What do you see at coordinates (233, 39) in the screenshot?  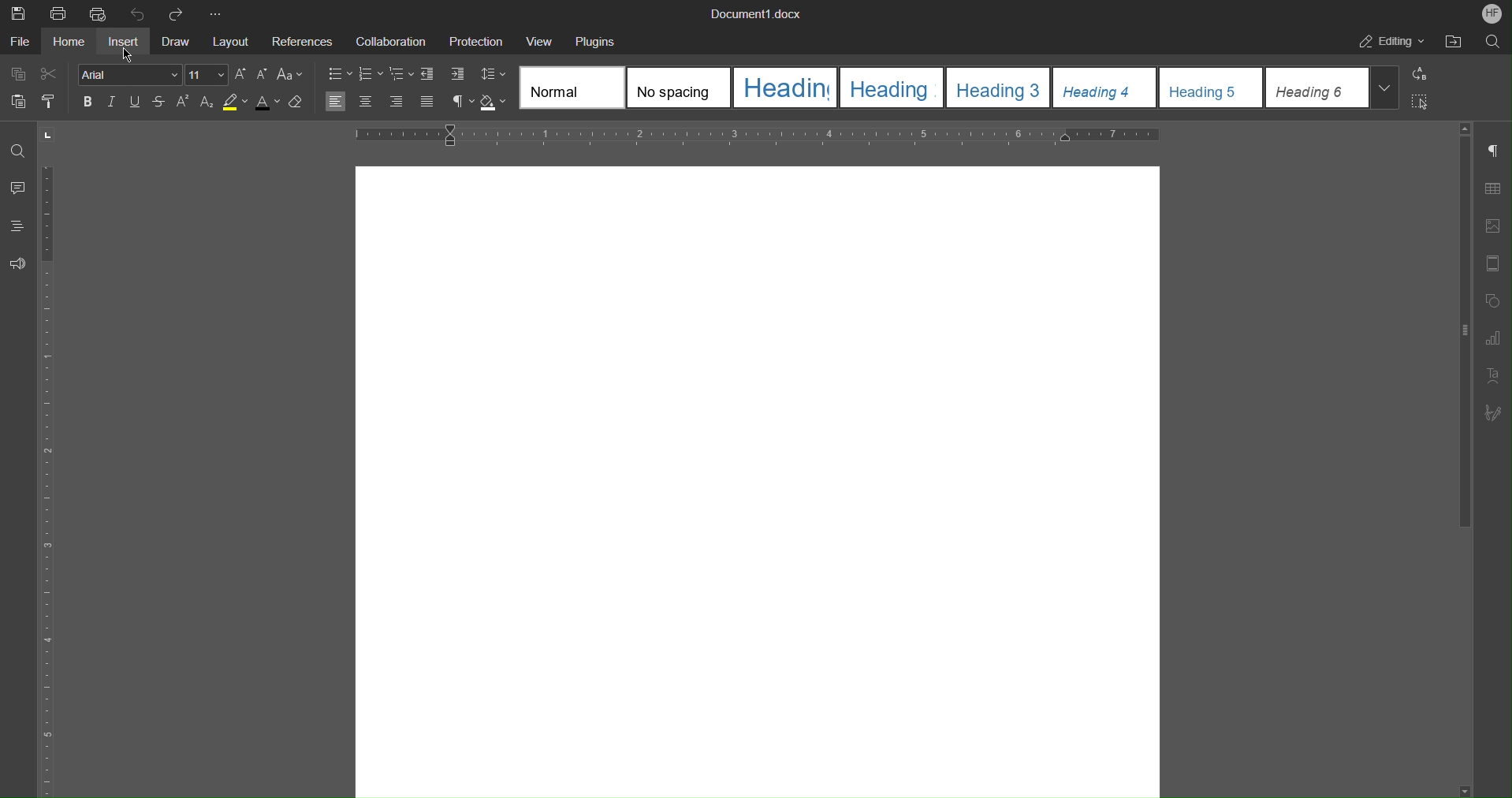 I see `Layout` at bounding box center [233, 39].